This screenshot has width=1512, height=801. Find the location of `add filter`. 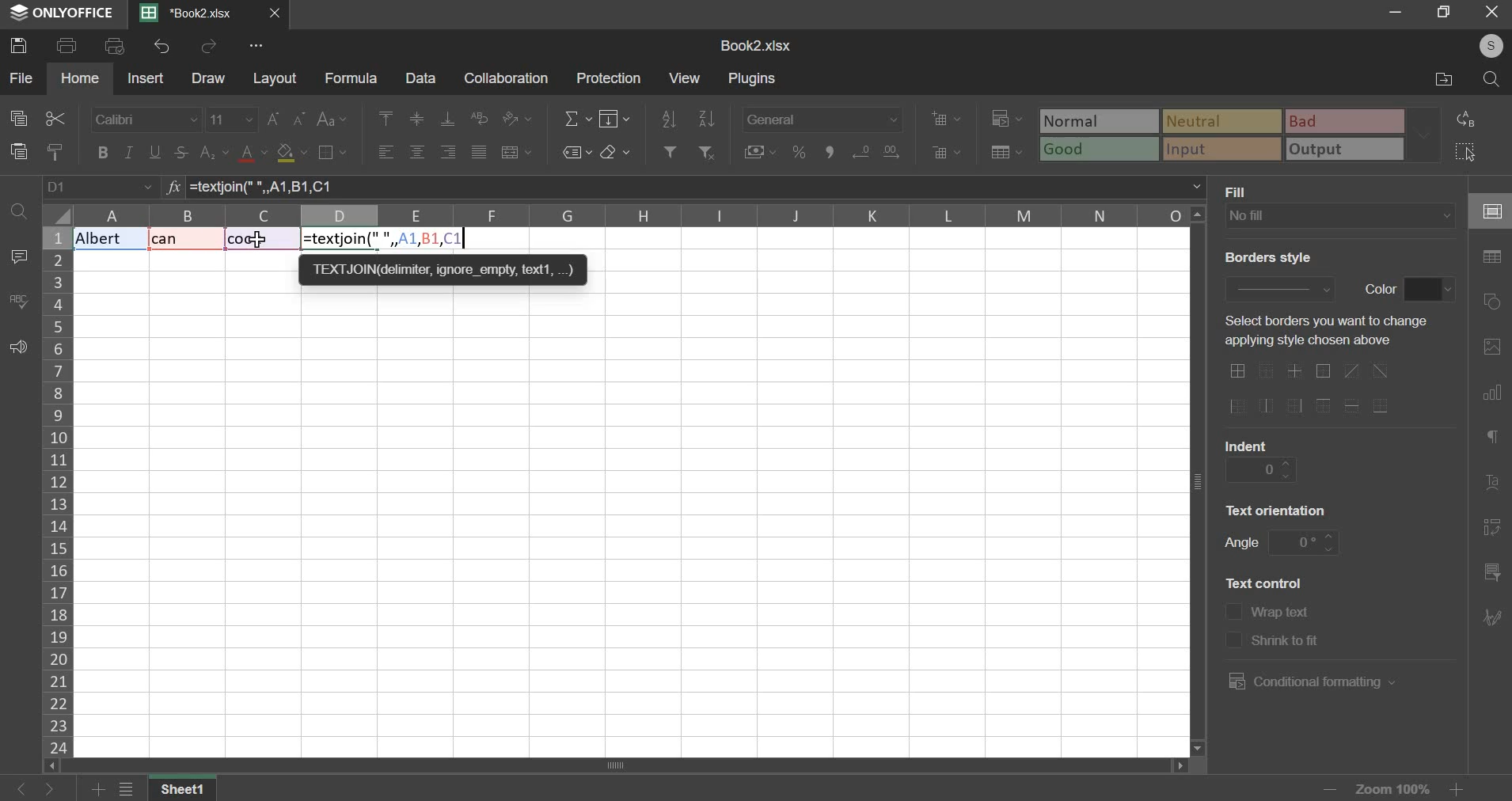

add filter is located at coordinates (668, 150).